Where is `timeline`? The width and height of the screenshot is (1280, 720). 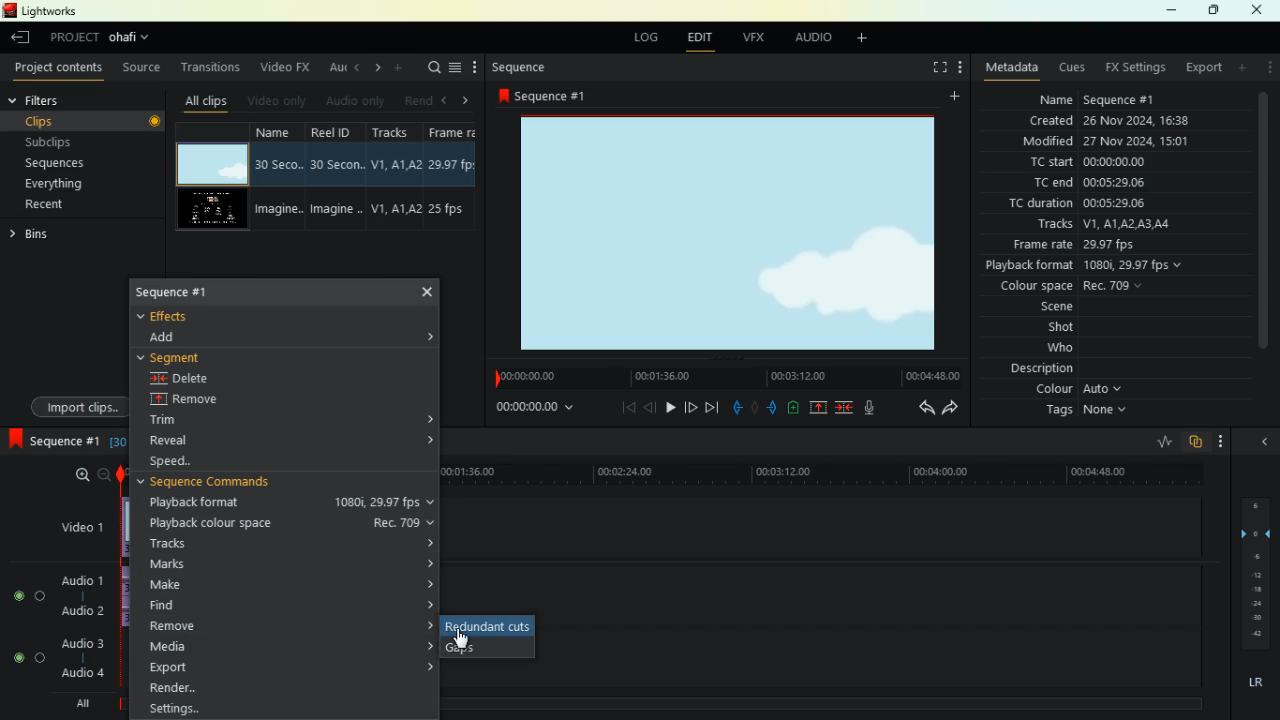
timeline is located at coordinates (816, 702).